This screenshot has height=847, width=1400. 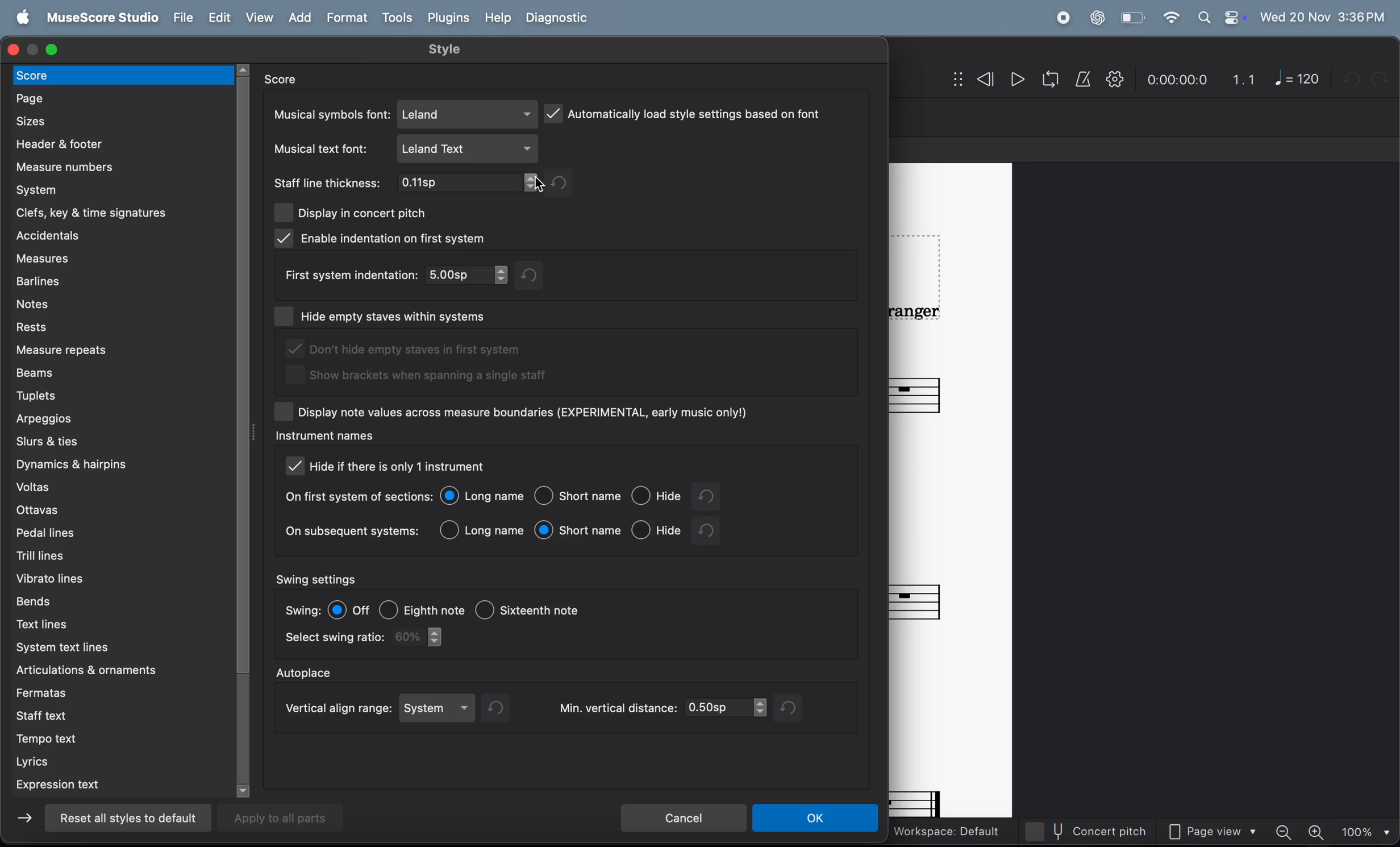 I want to click on tuplets, so click(x=114, y=395).